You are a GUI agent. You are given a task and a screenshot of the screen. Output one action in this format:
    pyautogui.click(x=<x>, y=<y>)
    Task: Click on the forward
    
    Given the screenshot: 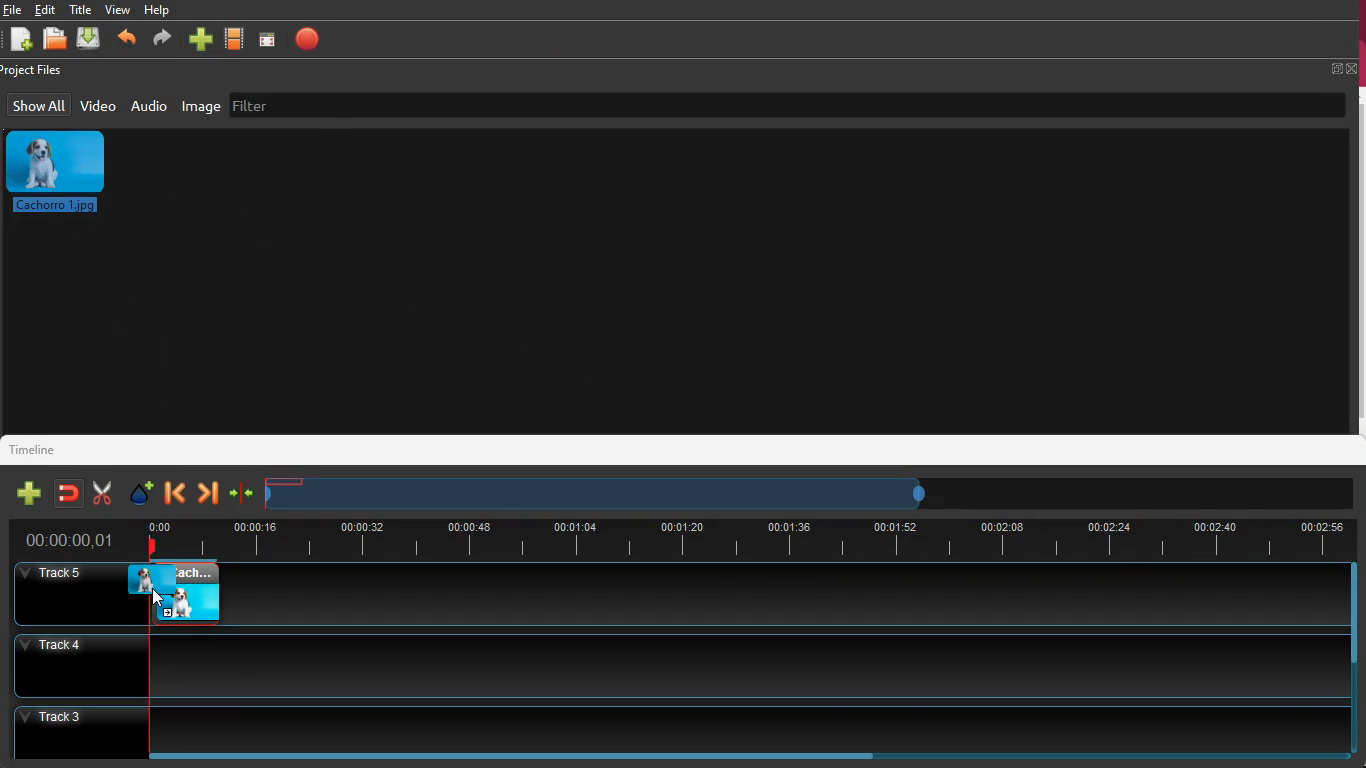 What is the action you would take?
    pyautogui.click(x=163, y=40)
    